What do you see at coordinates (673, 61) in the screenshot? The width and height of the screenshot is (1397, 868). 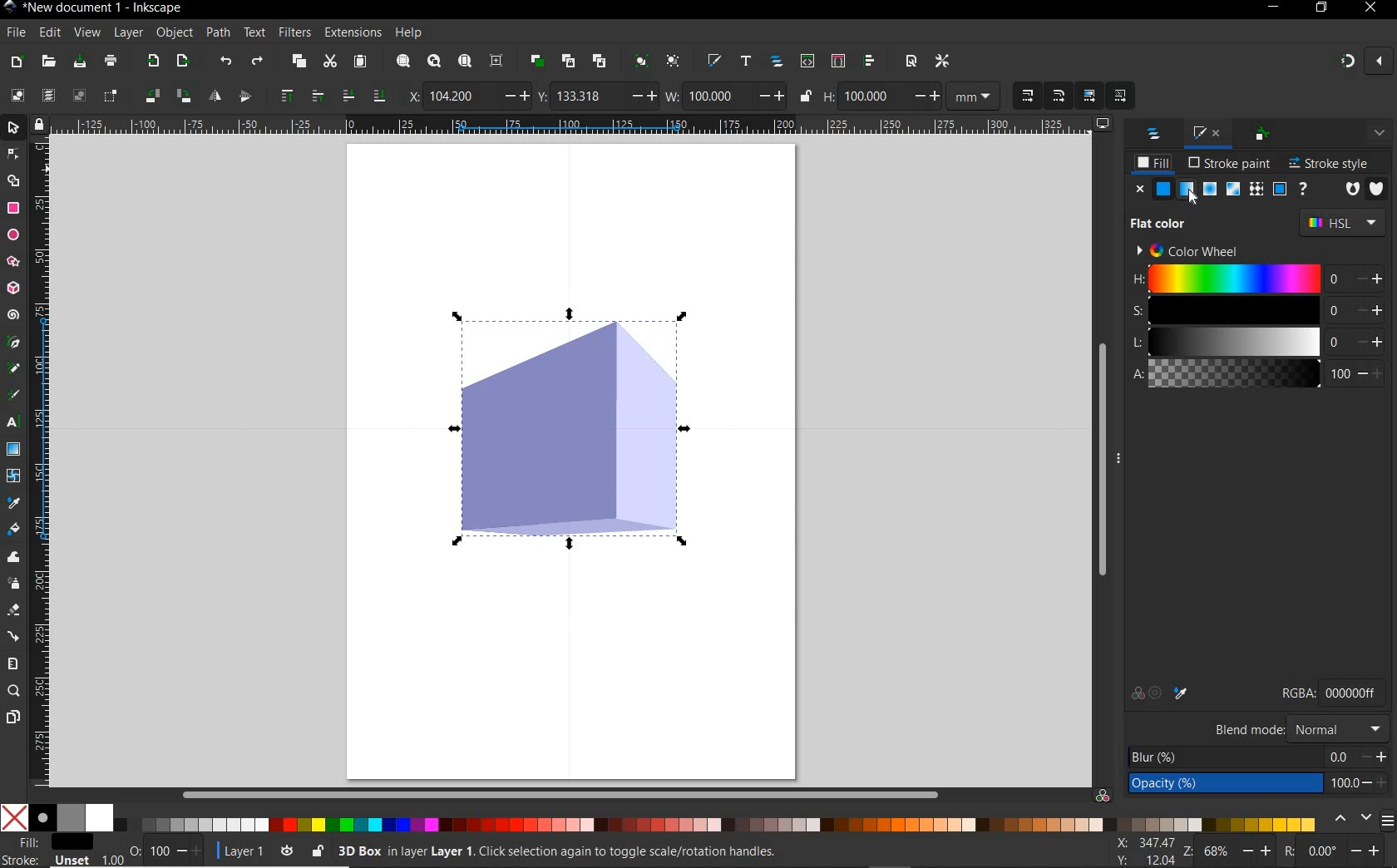 I see `UNGROUP` at bounding box center [673, 61].